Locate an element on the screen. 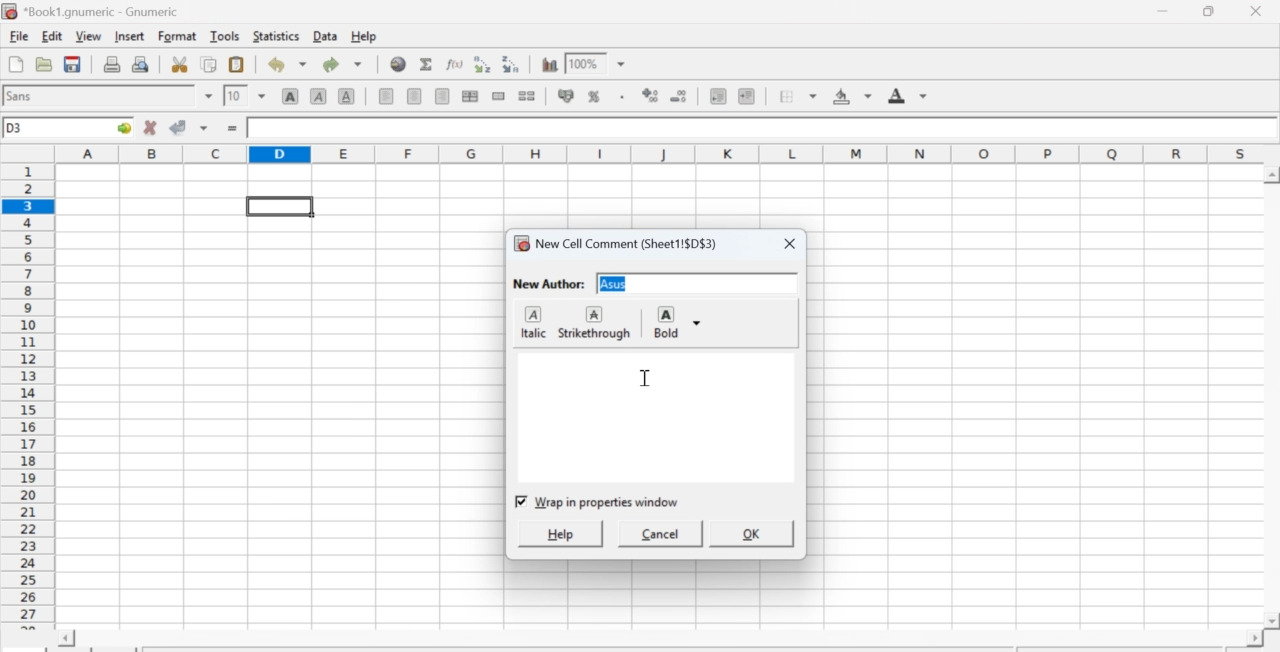 This screenshot has height=652, width=1280. New Cell Comment (Sheet1!$D$3) is located at coordinates (628, 241).